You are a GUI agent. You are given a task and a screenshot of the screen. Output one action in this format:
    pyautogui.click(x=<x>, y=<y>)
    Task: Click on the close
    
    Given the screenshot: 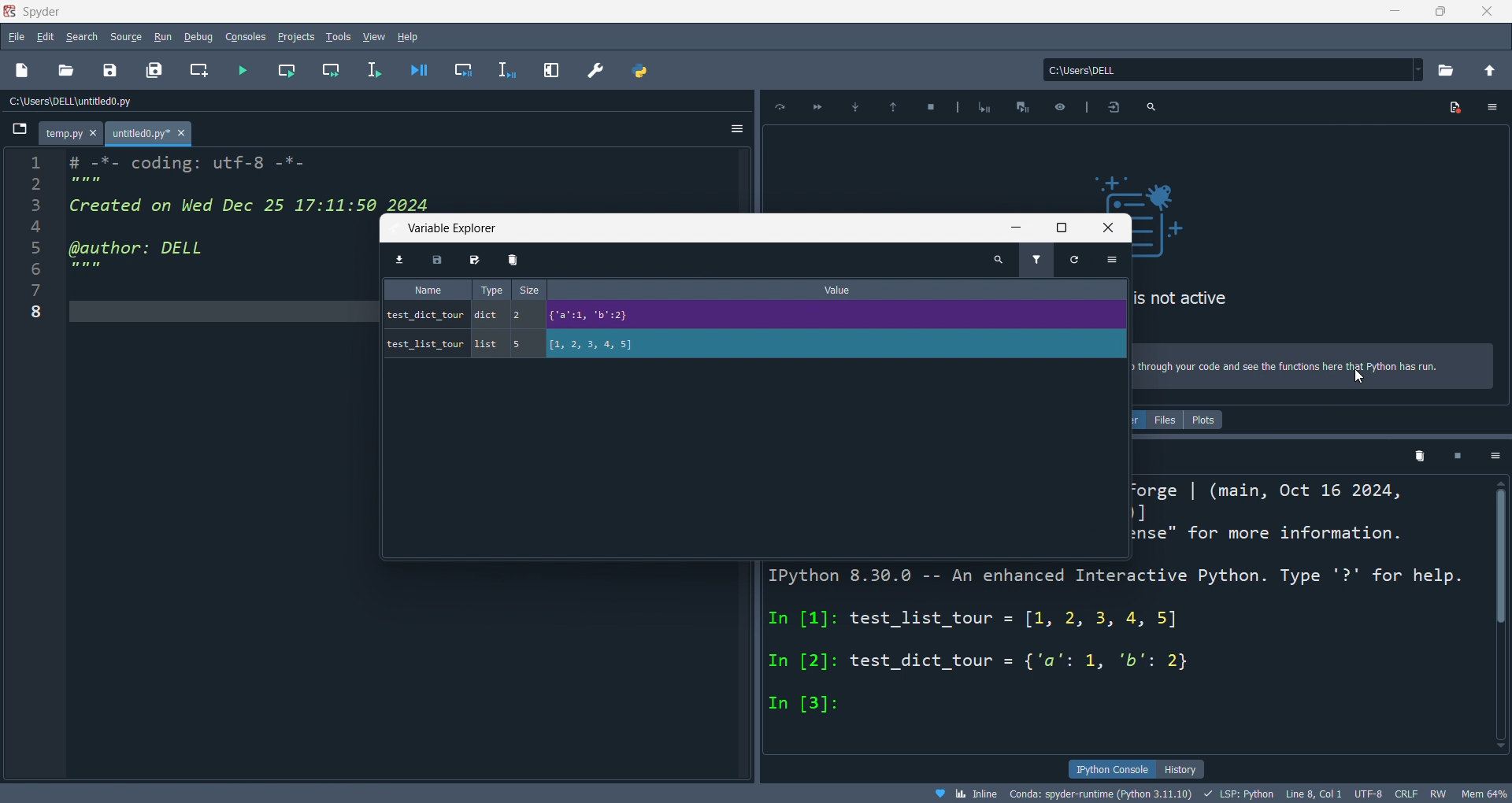 What is the action you would take?
    pyautogui.click(x=1107, y=228)
    